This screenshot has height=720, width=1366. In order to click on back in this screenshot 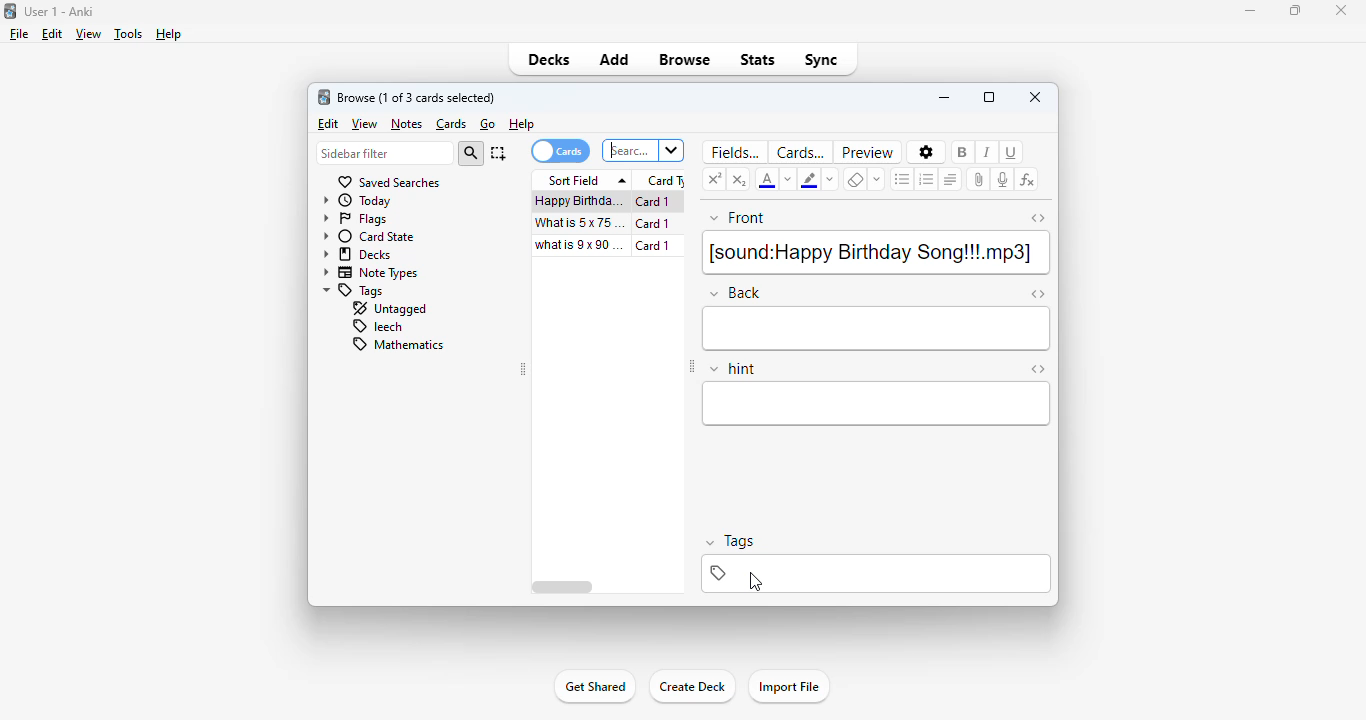, I will do `click(878, 329)`.